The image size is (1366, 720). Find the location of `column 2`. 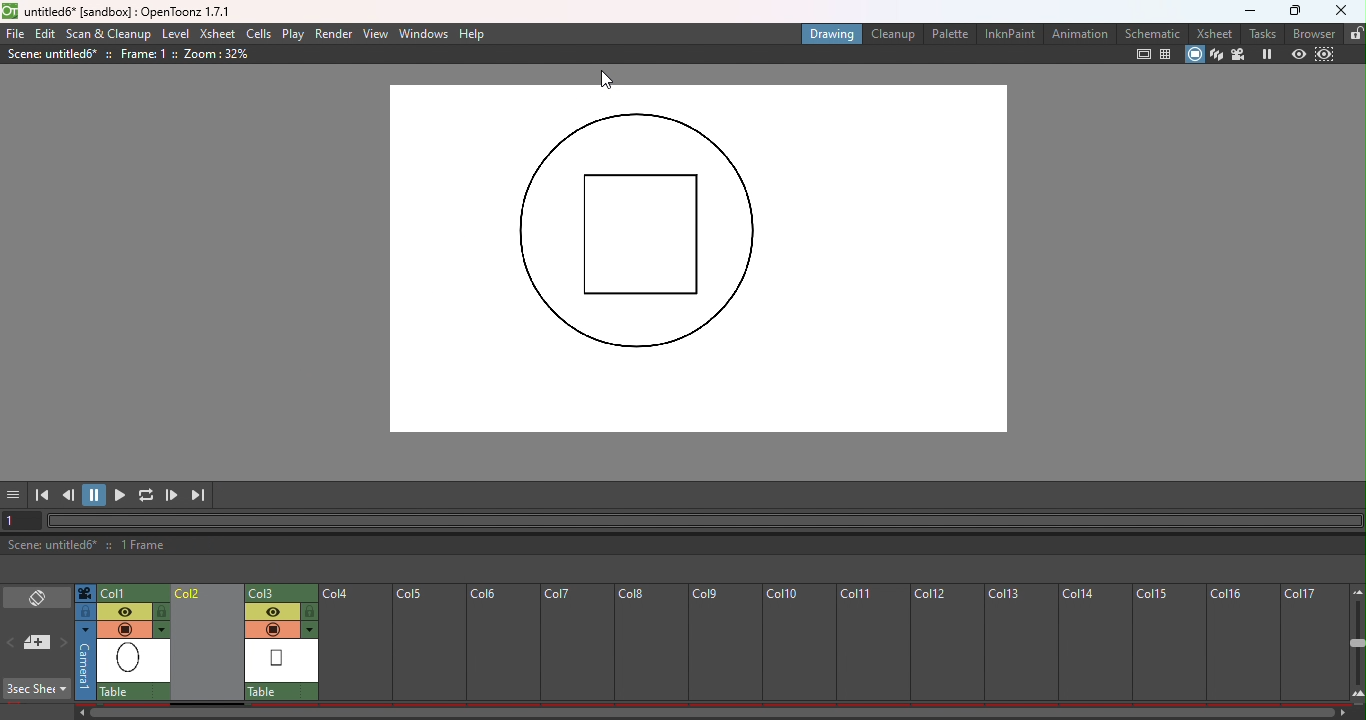

column 2 is located at coordinates (282, 592).